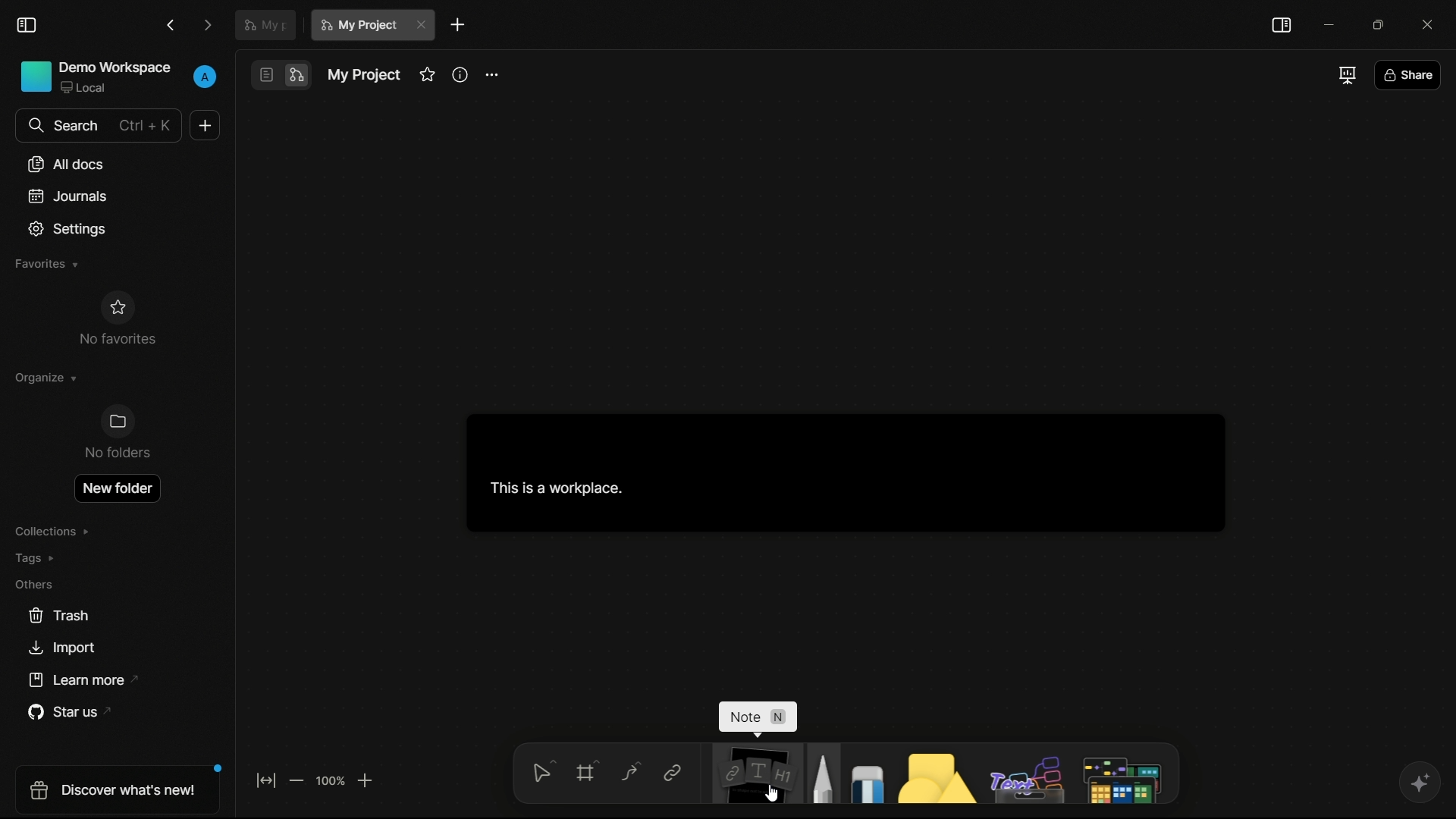  I want to click on This is a workspace, so click(836, 471).